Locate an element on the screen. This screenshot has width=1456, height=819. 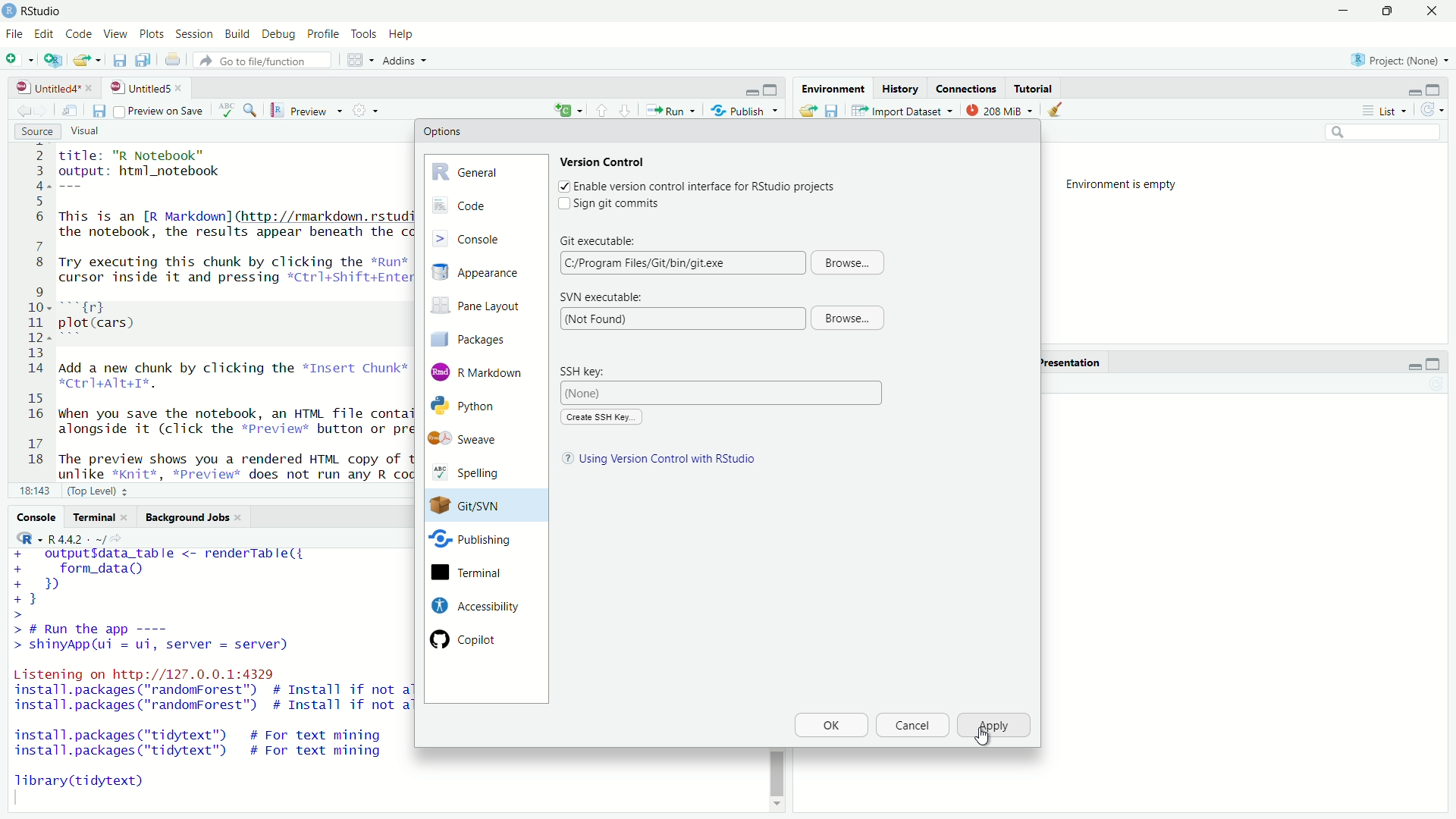
Terminal is located at coordinates (472, 573).